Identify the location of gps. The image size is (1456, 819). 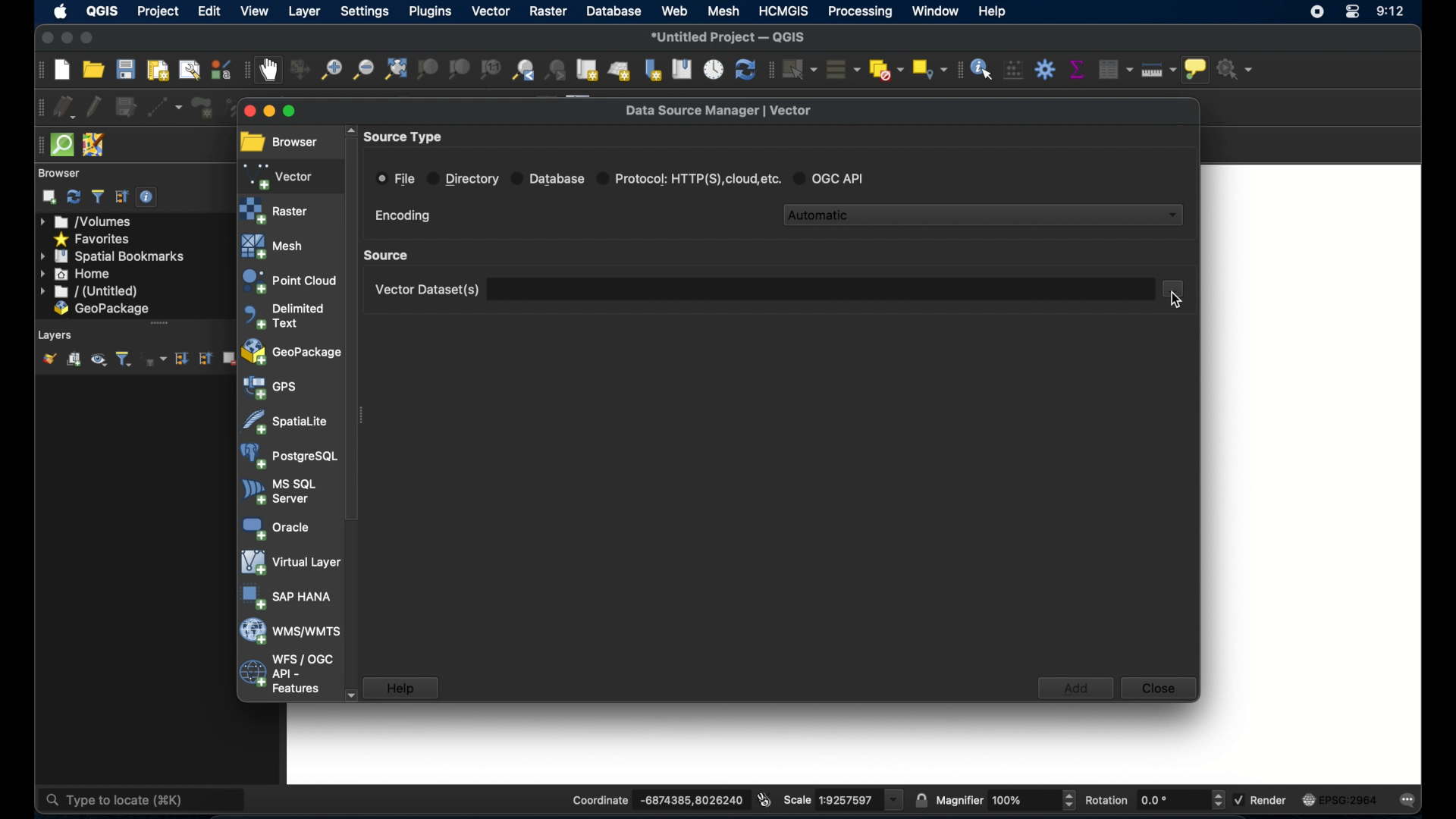
(271, 388).